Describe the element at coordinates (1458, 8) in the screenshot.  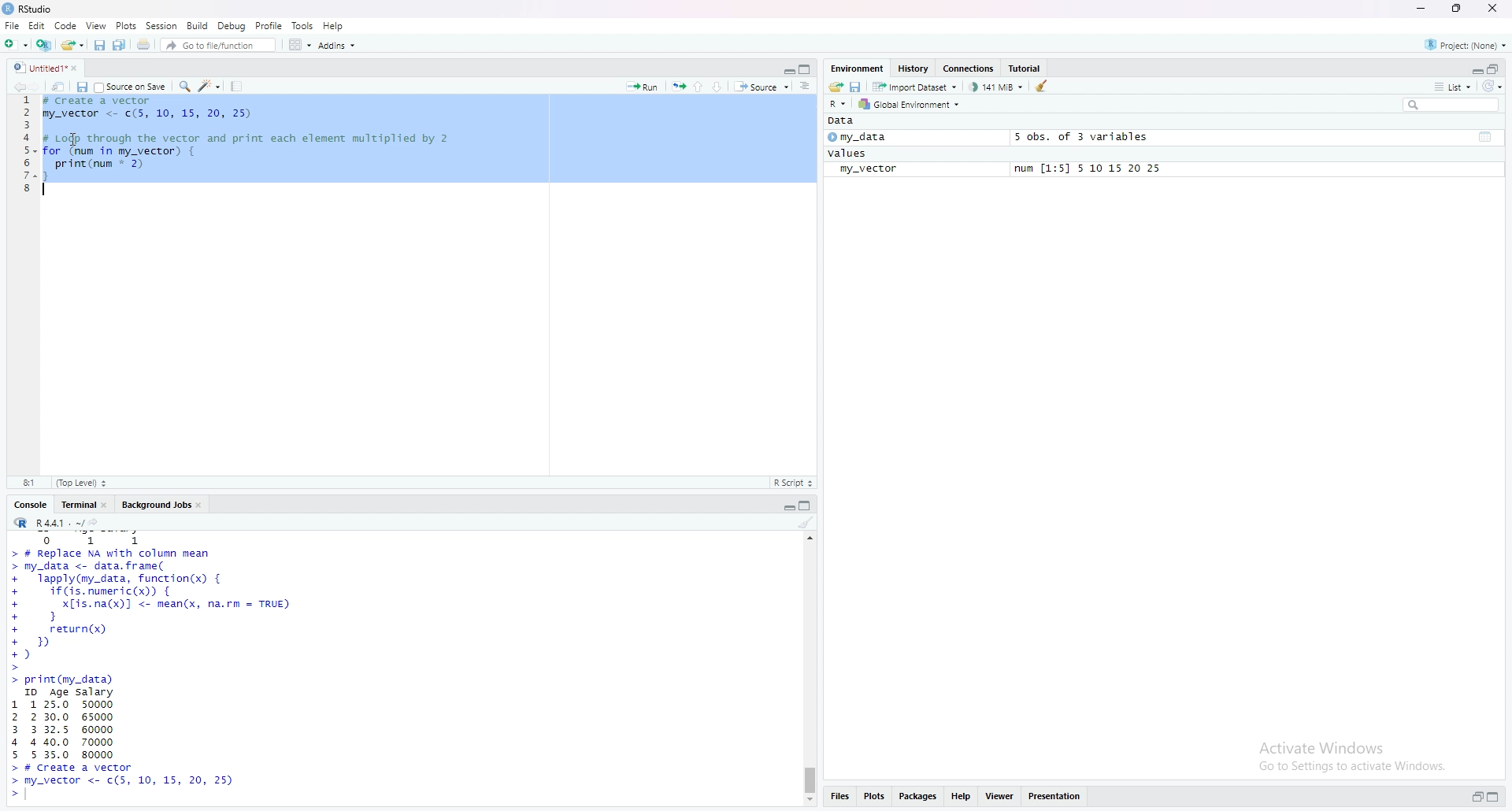
I see `maximize` at that location.